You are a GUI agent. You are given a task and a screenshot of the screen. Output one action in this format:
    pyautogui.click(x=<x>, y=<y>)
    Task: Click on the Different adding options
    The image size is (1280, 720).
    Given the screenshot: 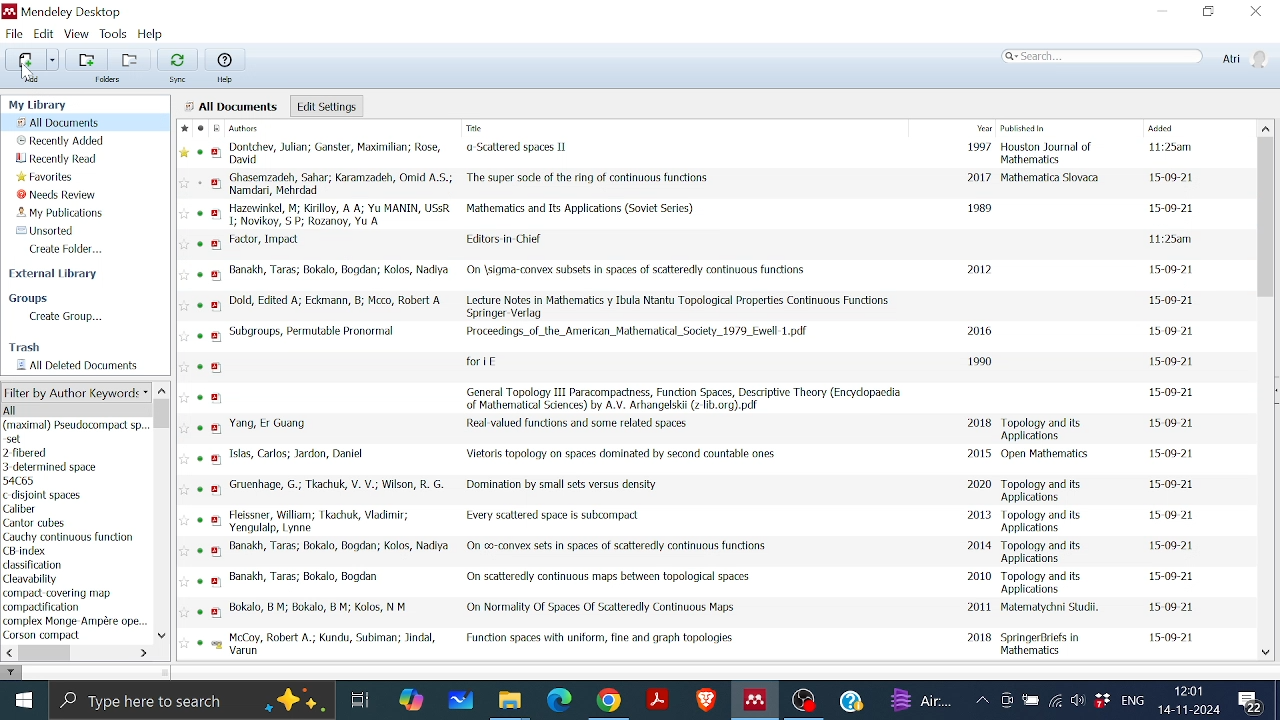 What is the action you would take?
    pyautogui.click(x=53, y=61)
    